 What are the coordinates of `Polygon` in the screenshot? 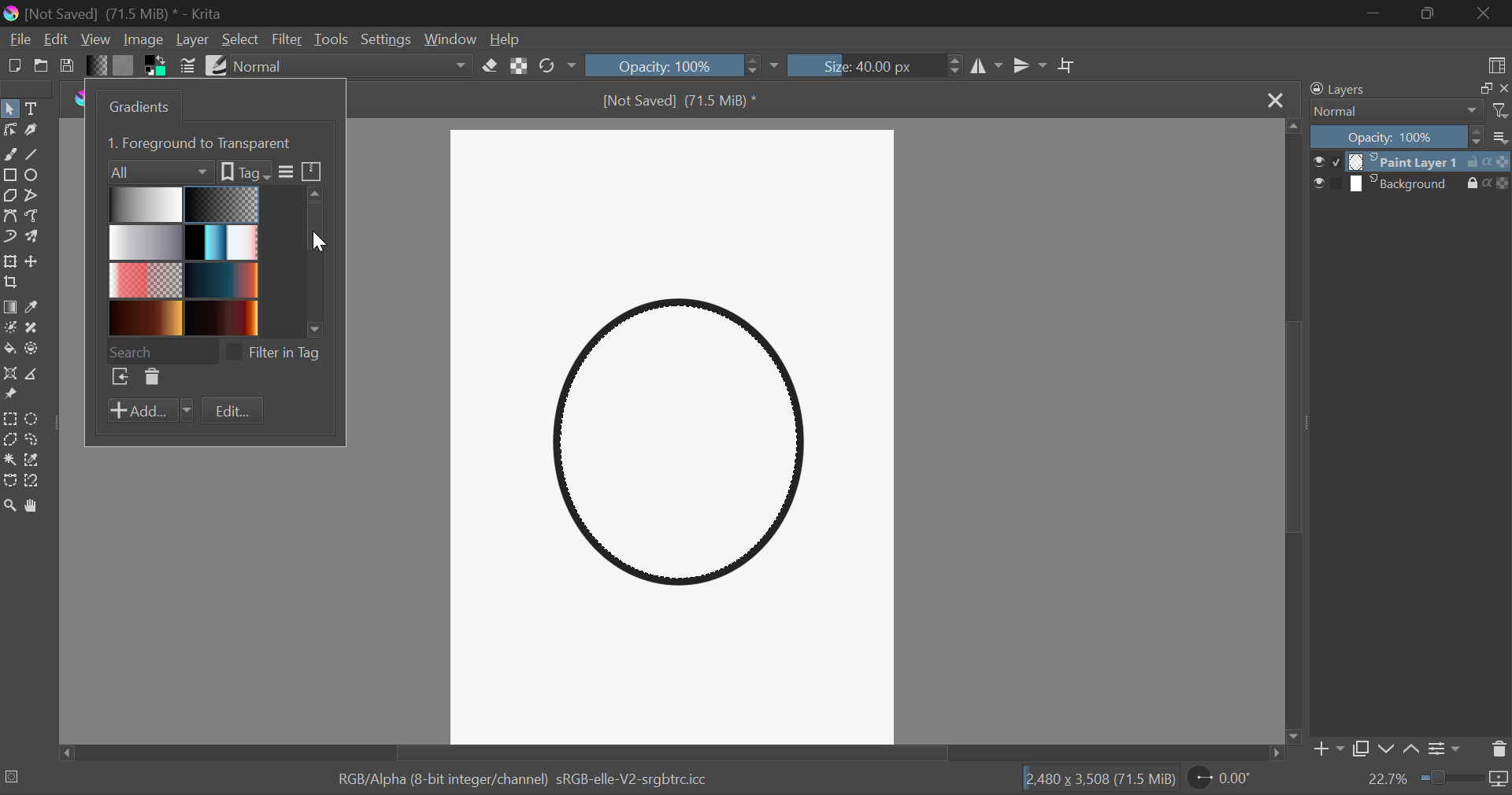 It's located at (11, 197).